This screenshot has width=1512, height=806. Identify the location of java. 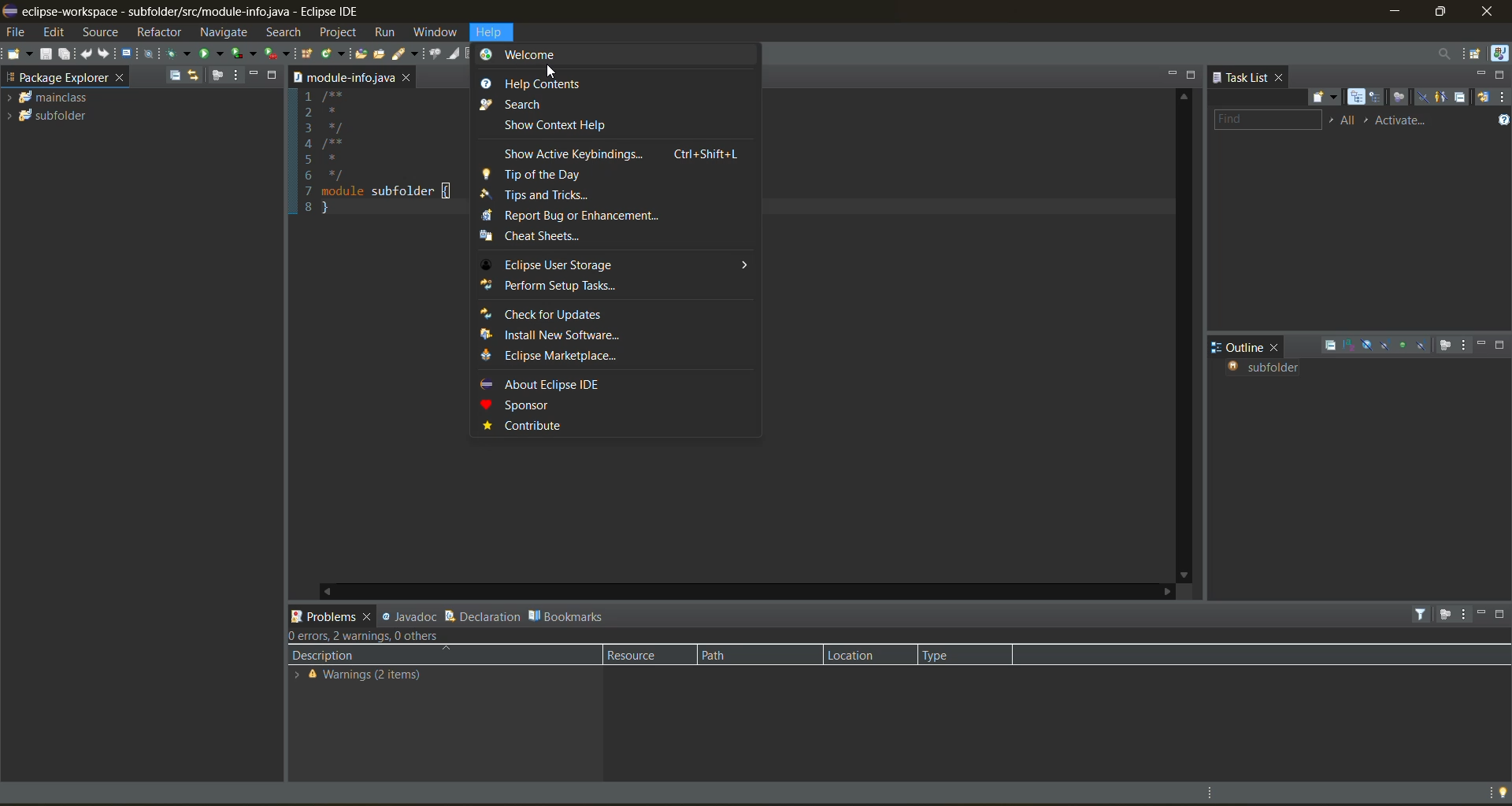
(1499, 53).